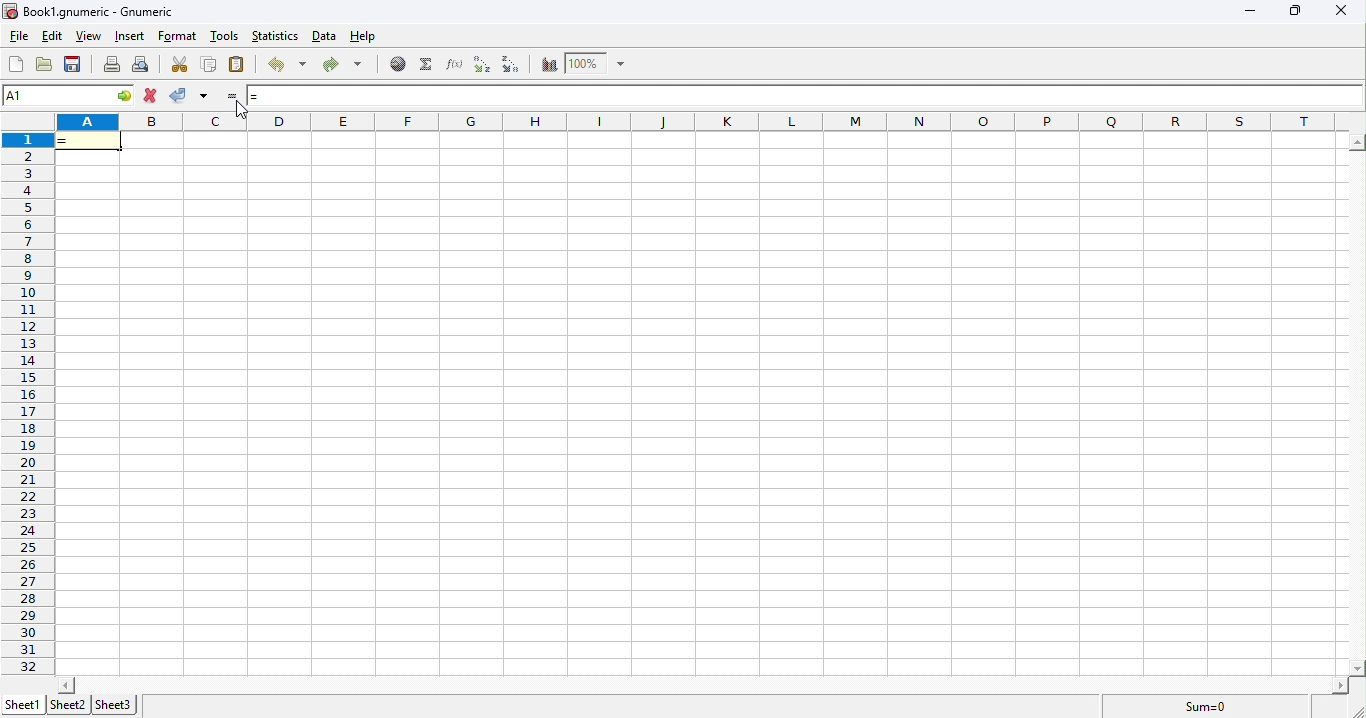 The height and width of the screenshot is (718, 1366). What do you see at coordinates (89, 37) in the screenshot?
I see `view` at bounding box center [89, 37].